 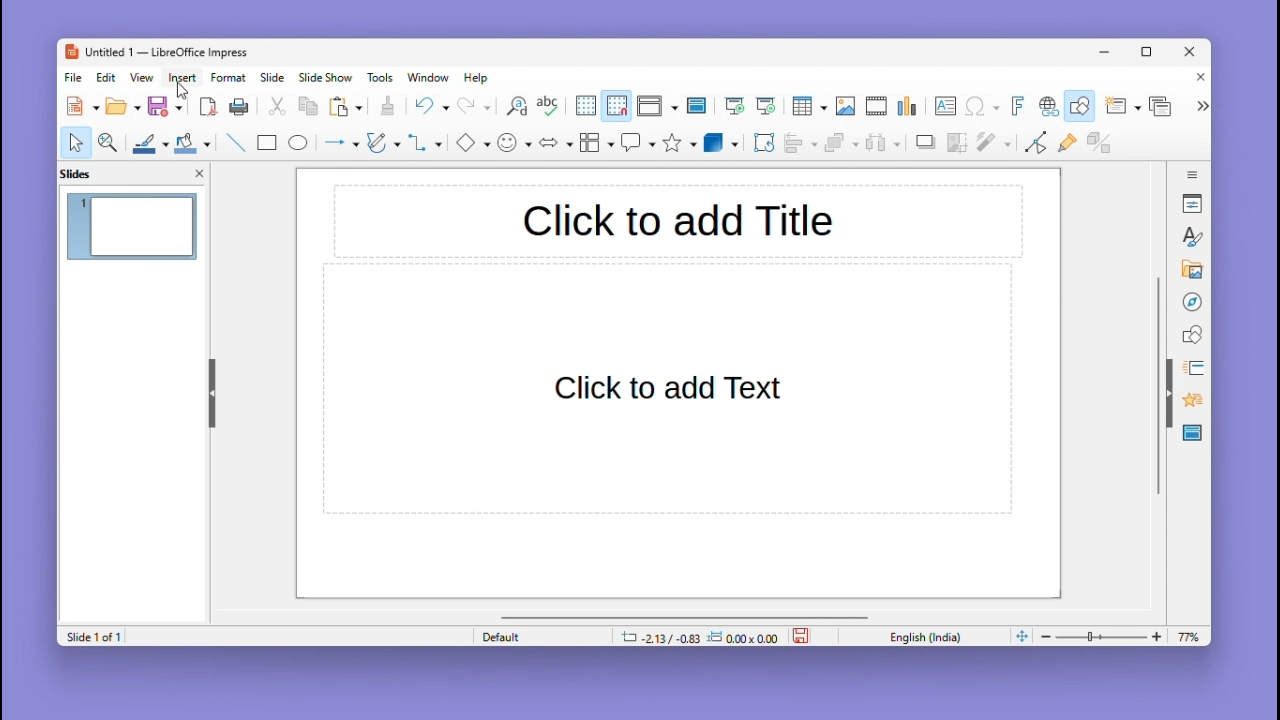 I want to click on Last slide, so click(x=766, y=106).